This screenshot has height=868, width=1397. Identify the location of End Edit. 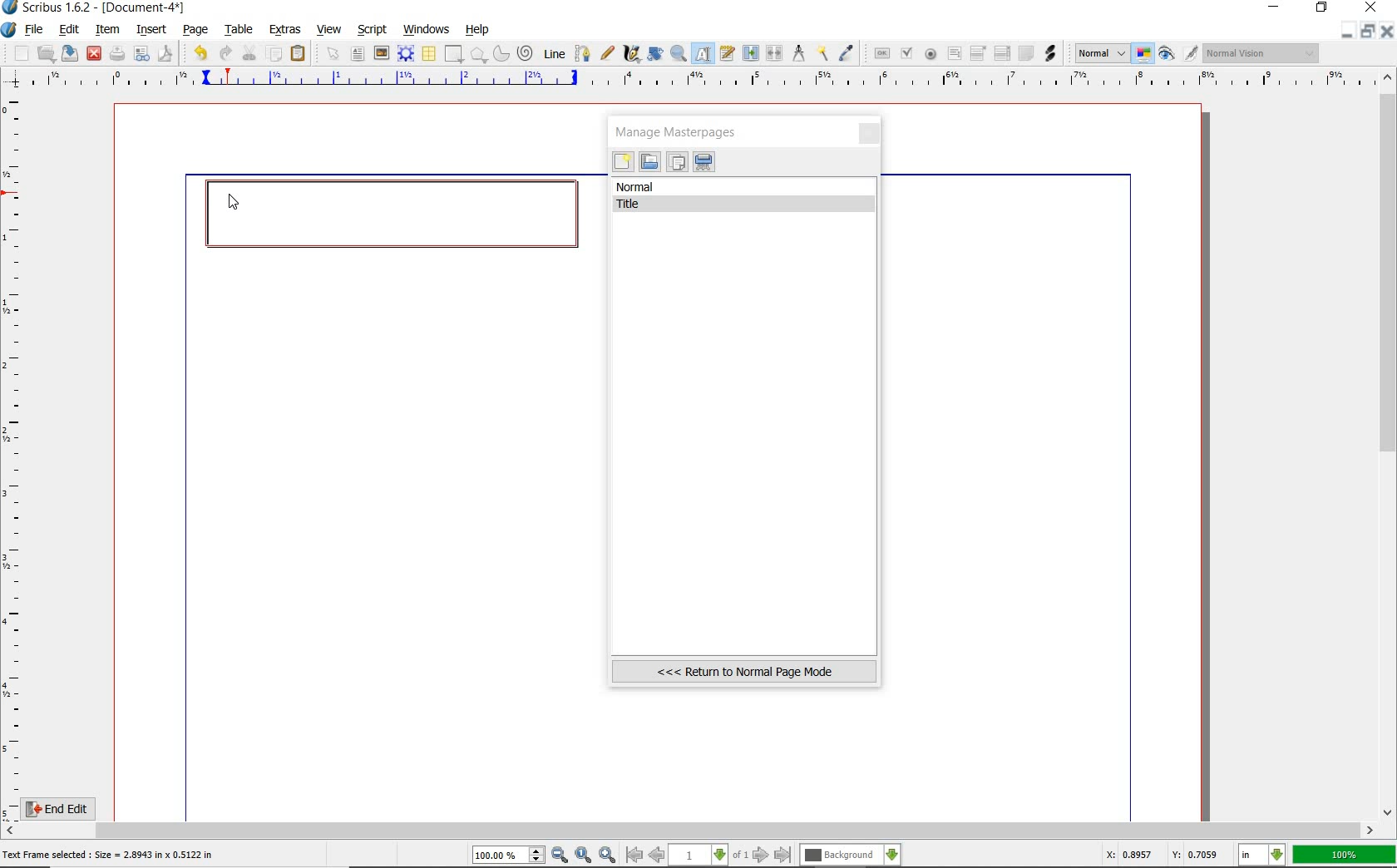
(71, 808).